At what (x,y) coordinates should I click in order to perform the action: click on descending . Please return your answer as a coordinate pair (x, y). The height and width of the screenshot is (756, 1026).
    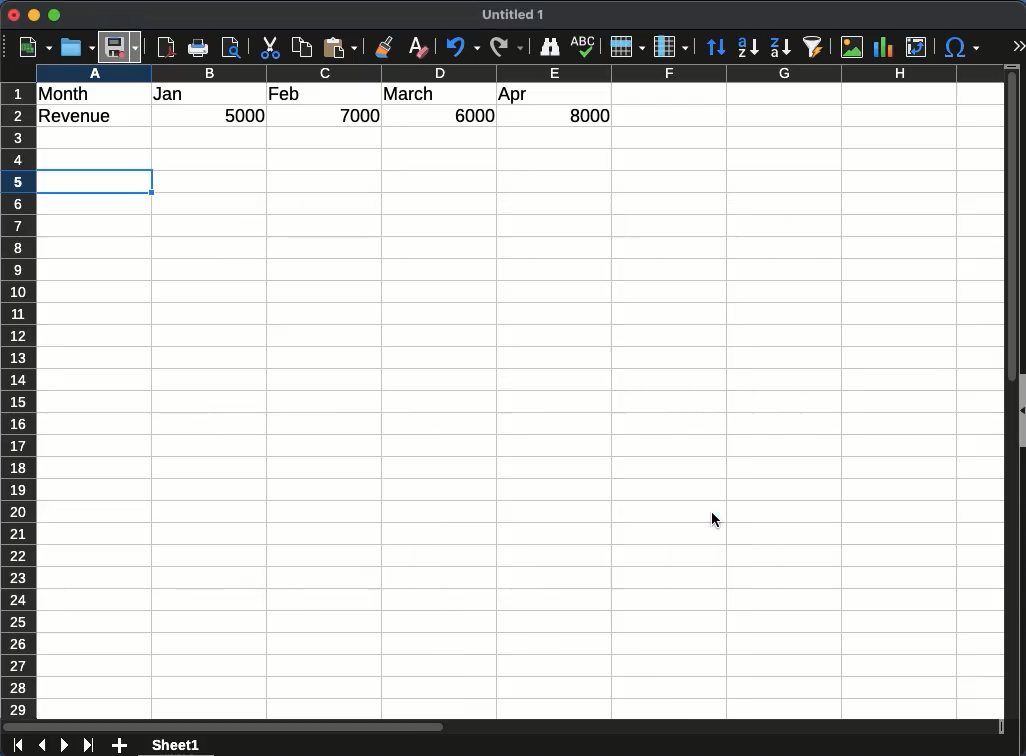
    Looking at the image, I should click on (779, 46).